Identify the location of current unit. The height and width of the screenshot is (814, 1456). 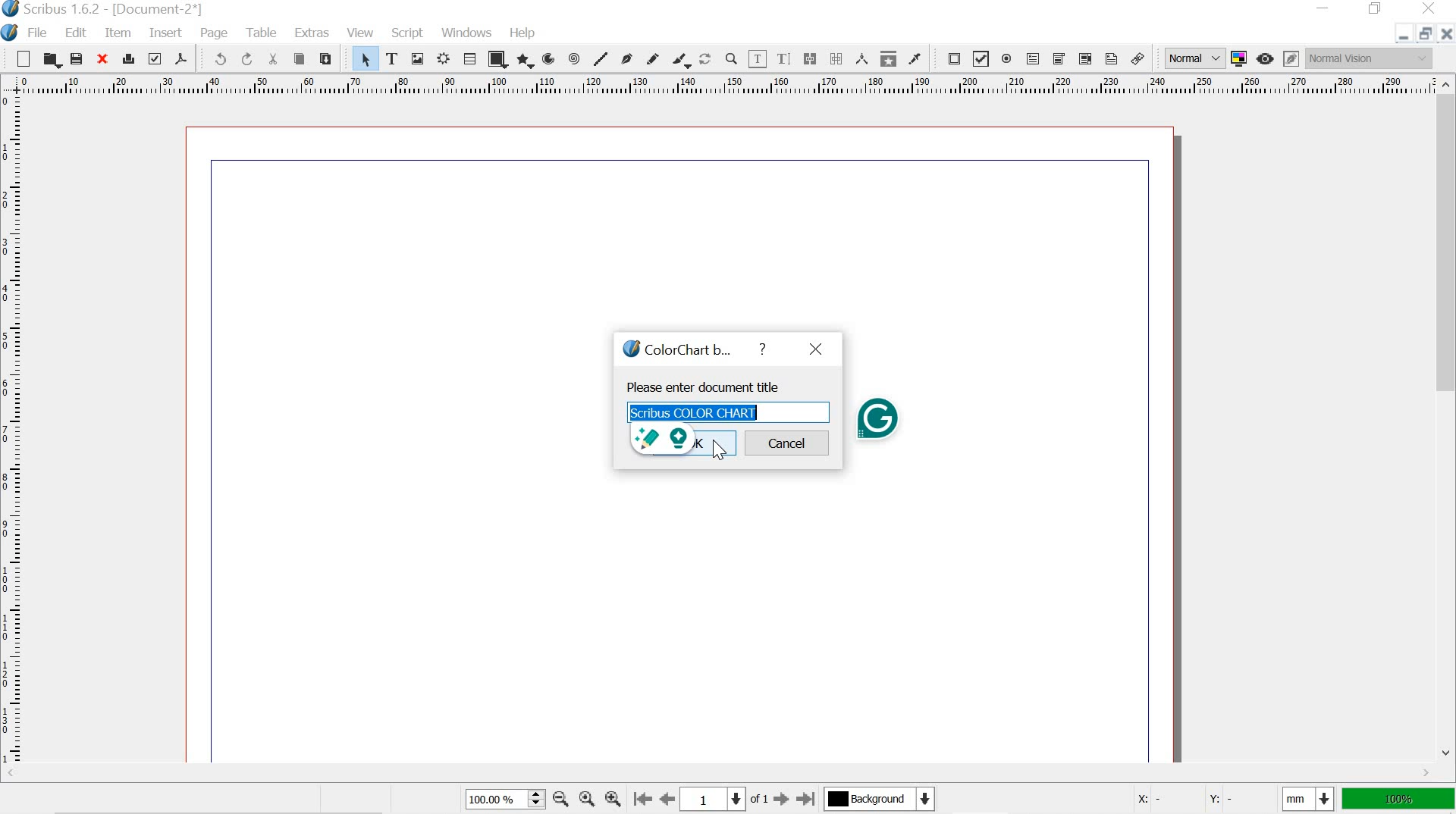
(1305, 799).